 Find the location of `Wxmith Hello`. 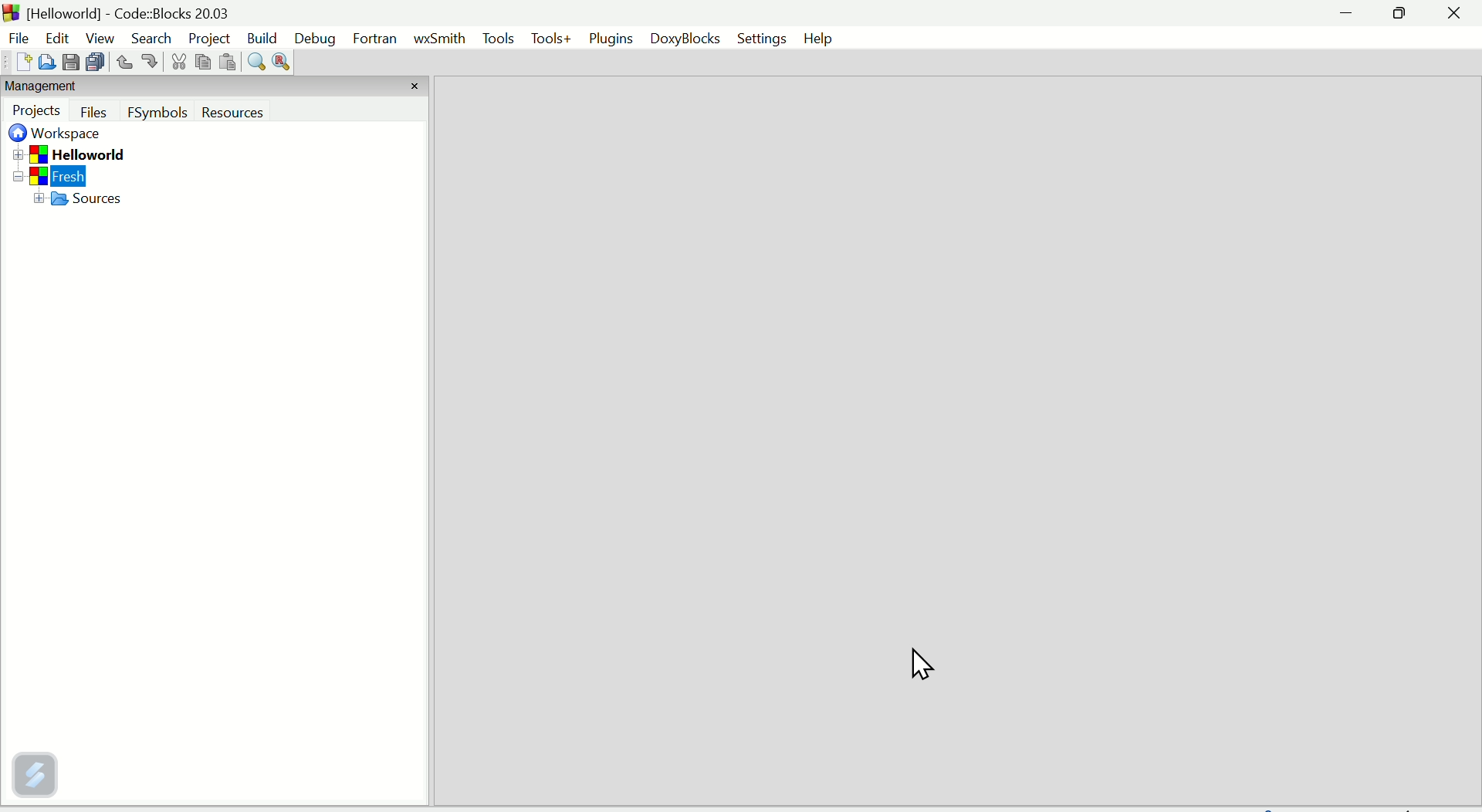

Wxmith Hello is located at coordinates (441, 43).